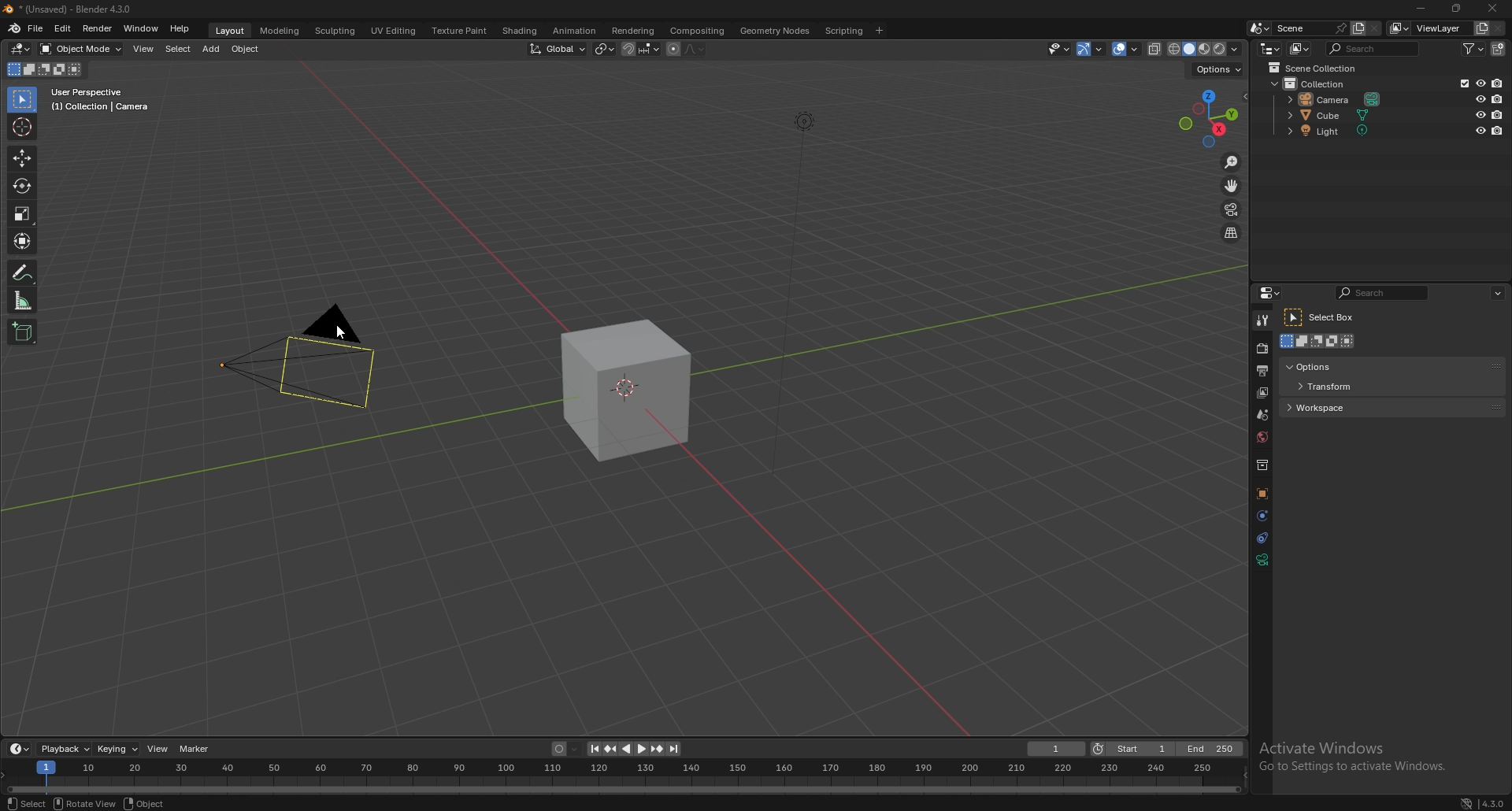 The width and height of the screenshot is (1512, 811). I want to click on select, so click(176, 49).